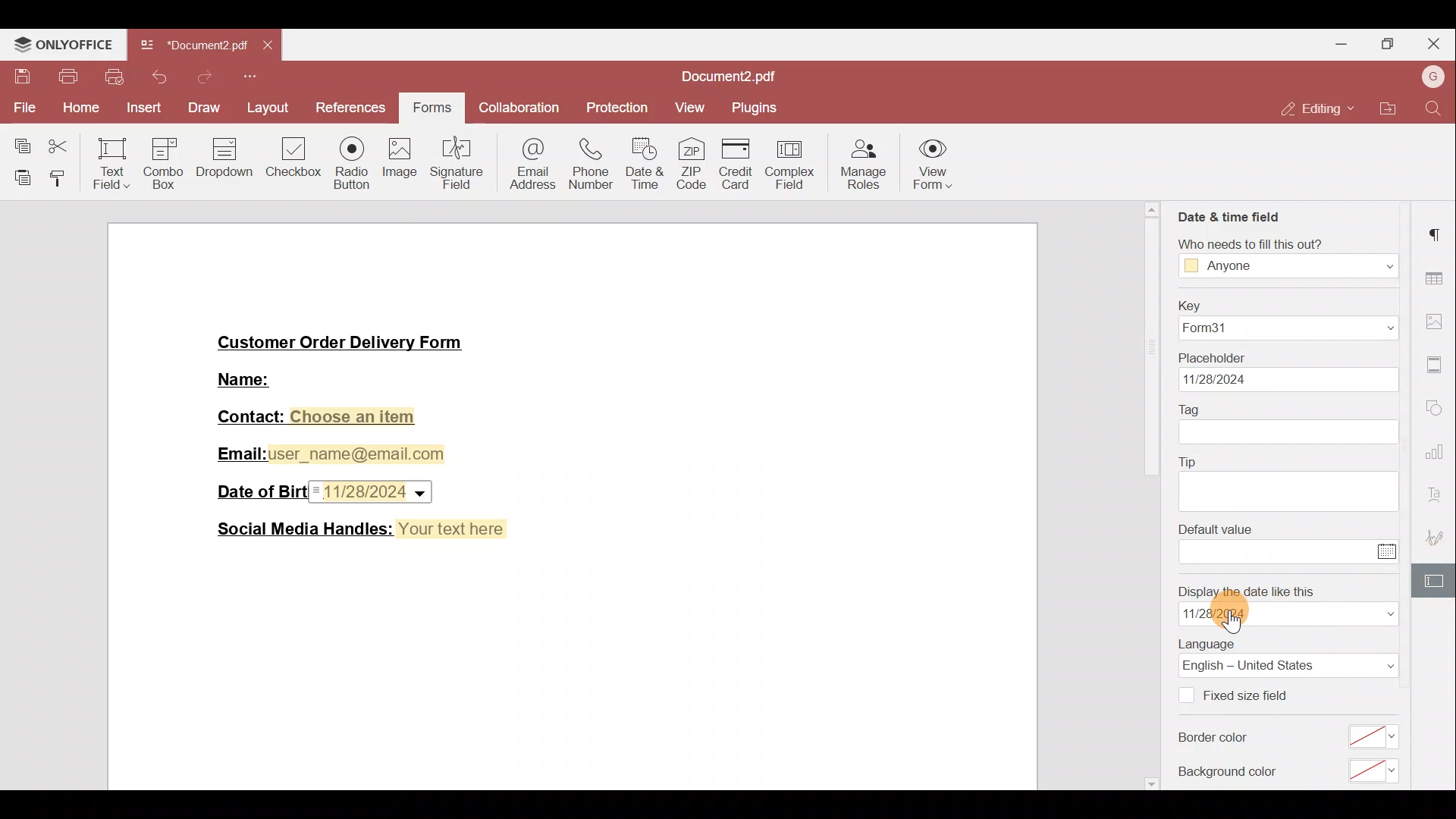 The image size is (1456, 819). I want to click on More, so click(253, 78).